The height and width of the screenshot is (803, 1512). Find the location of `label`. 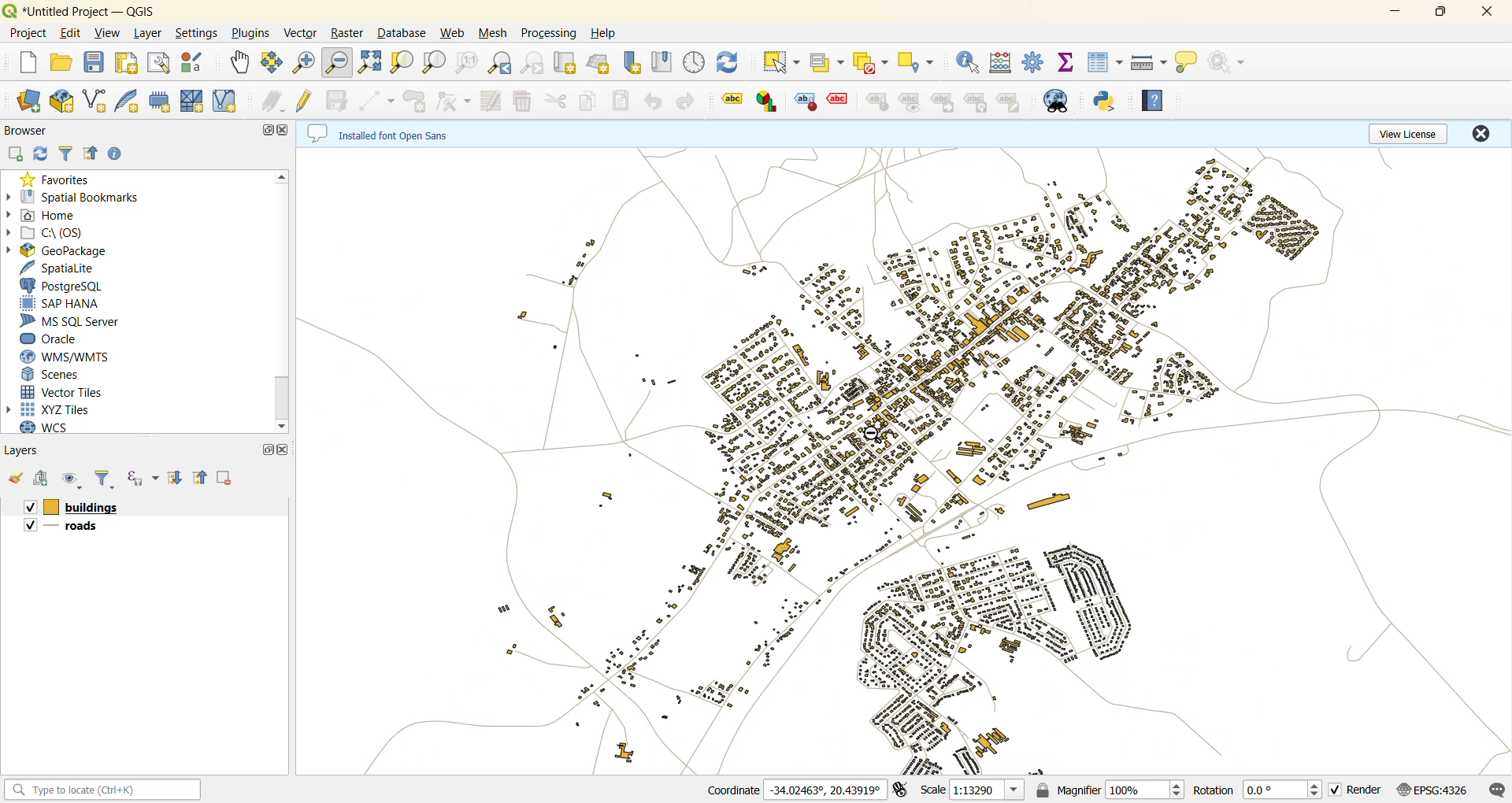

label is located at coordinates (734, 101).